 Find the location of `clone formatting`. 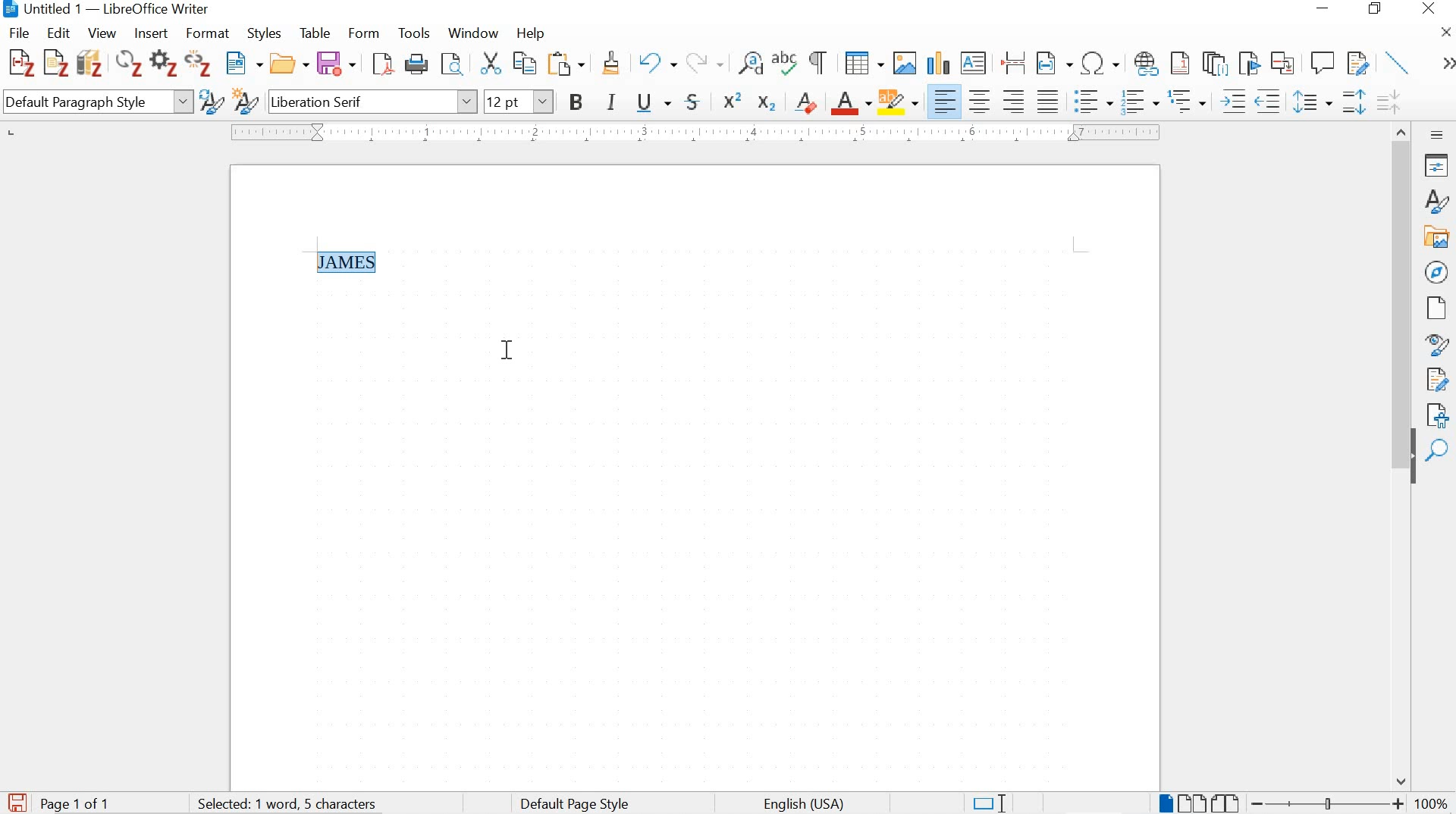

clone formatting is located at coordinates (613, 65).